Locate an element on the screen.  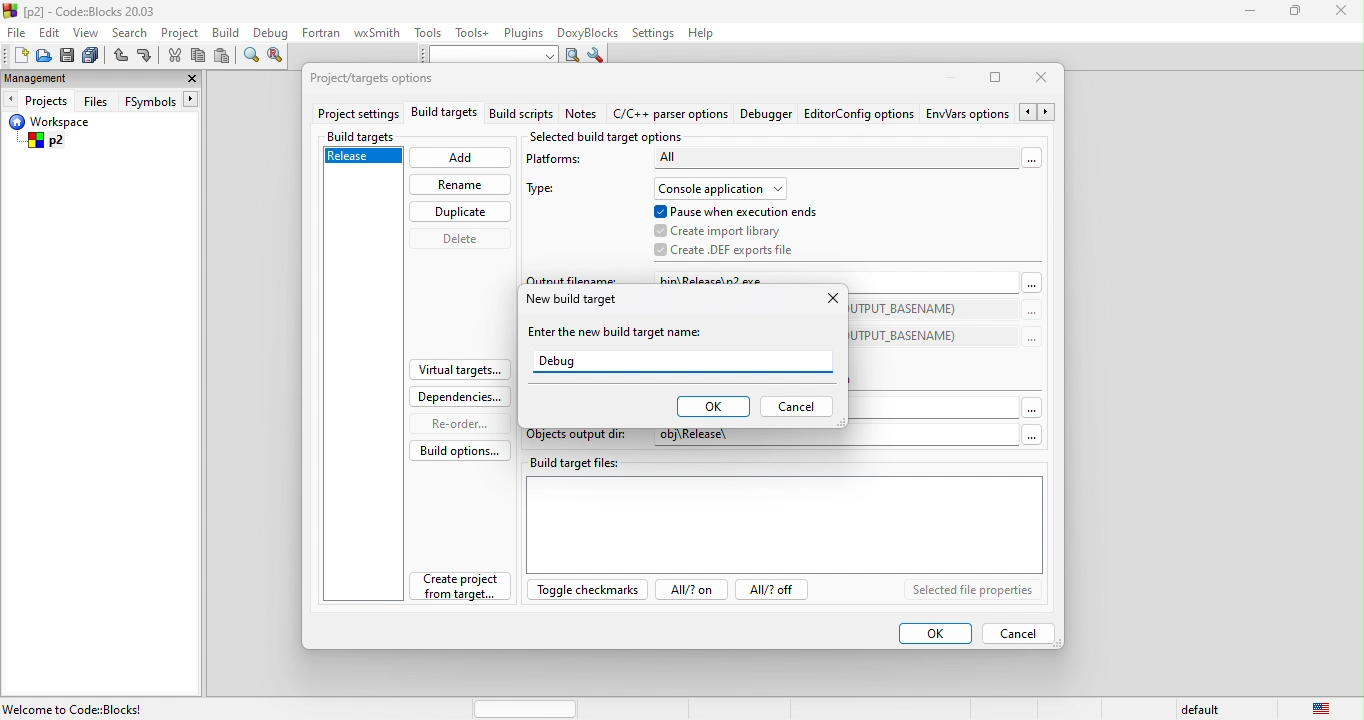
doxyblocks is located at coordinates (589, 33).